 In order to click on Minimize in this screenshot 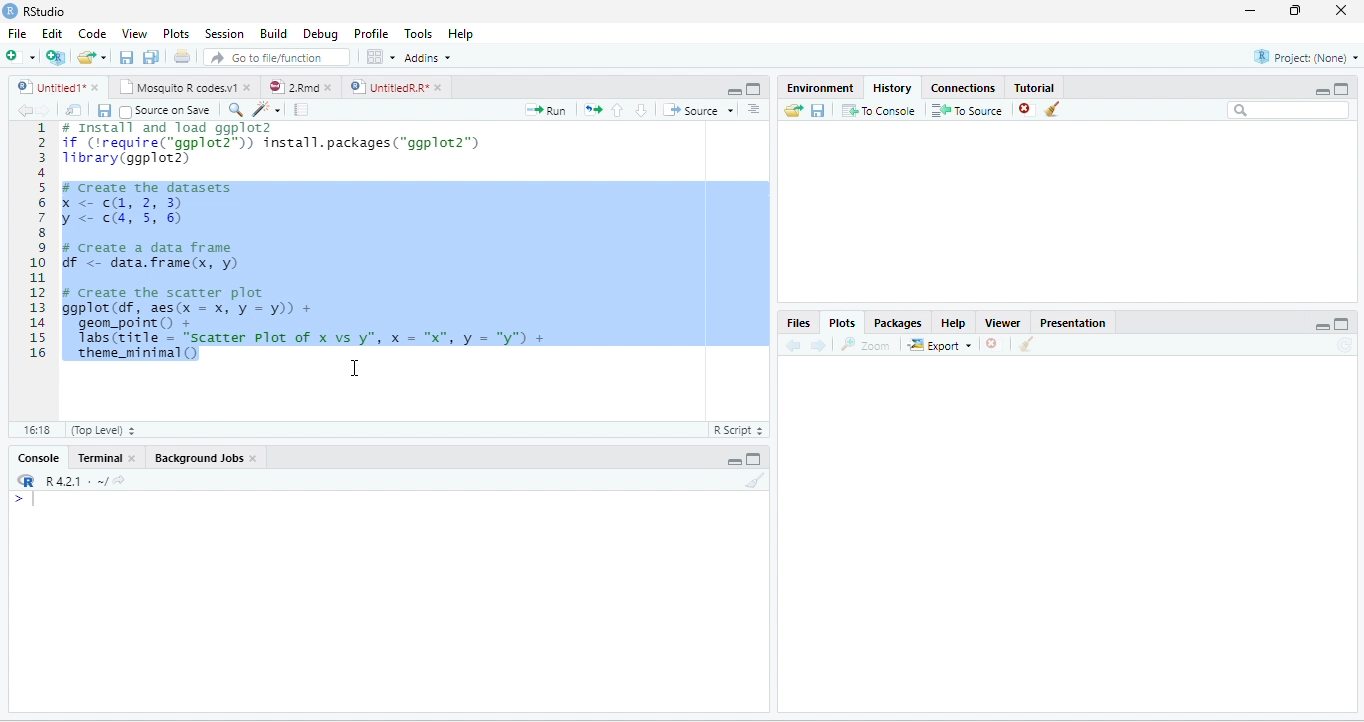, I will do `click(732, 90)`.